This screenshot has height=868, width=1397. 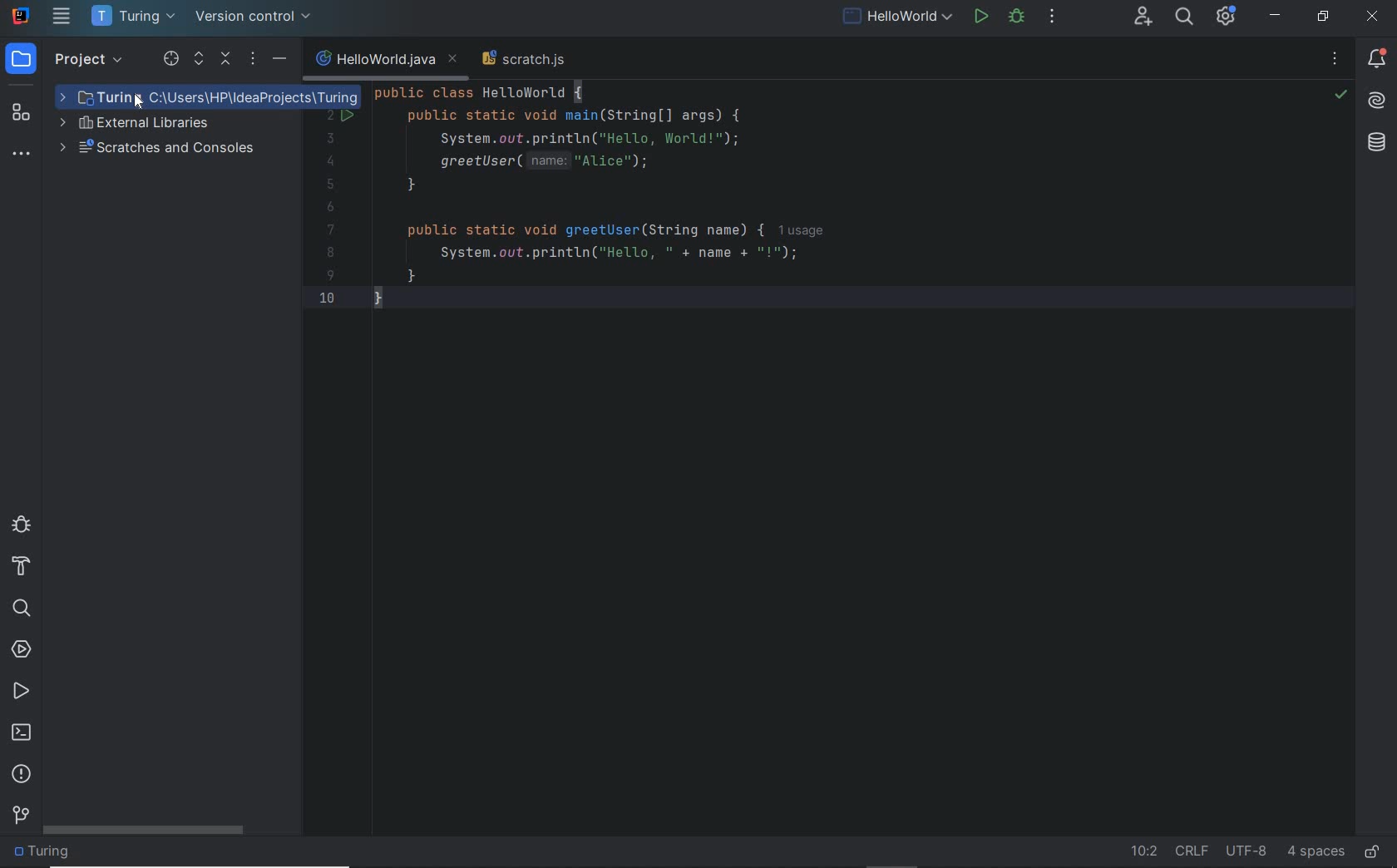 What do you see at coordinates (1017, 19) in the screenshot?
I see `debug` at bounding box center [1017, 19].